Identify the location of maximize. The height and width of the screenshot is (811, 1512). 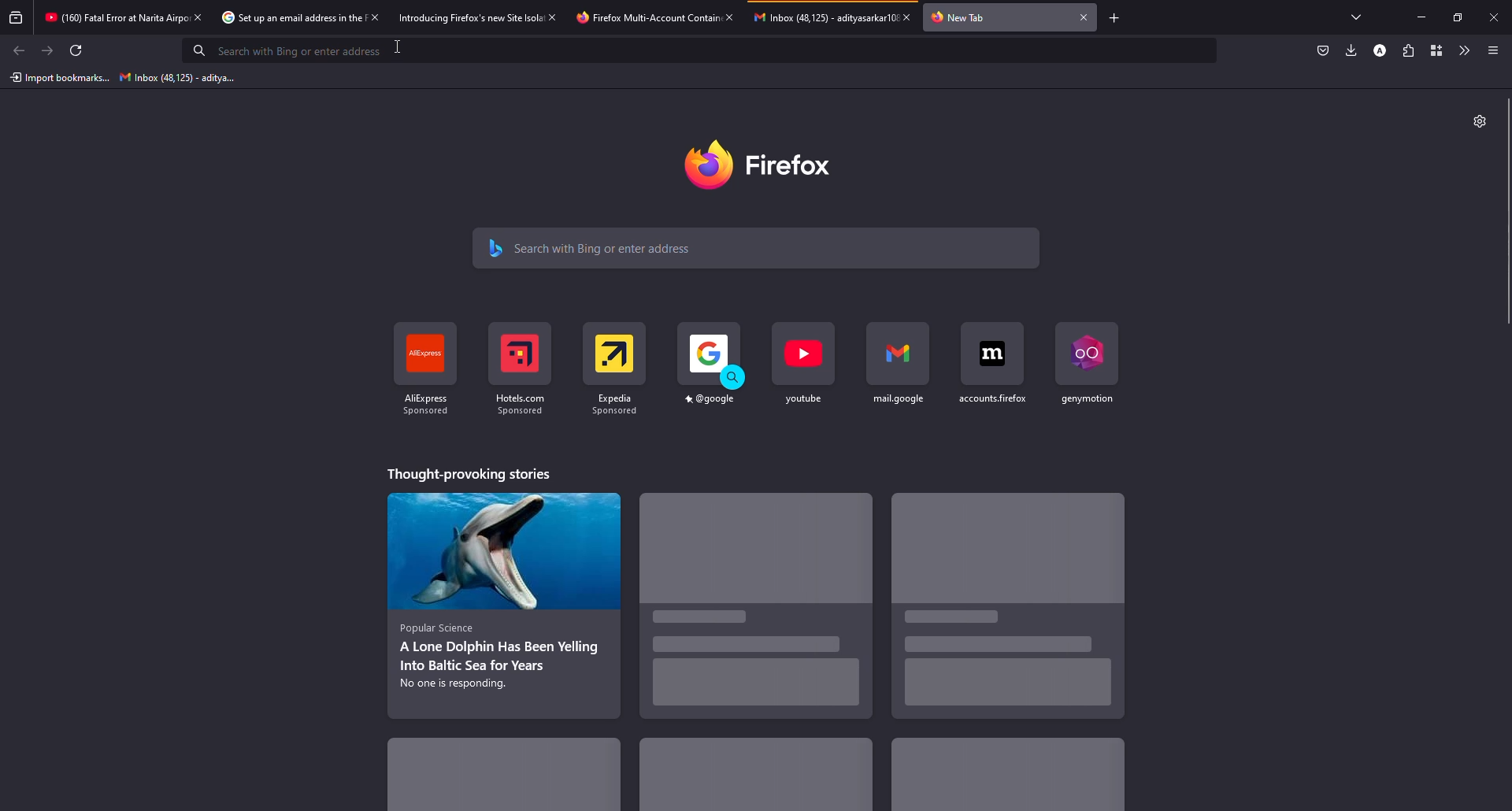
(1455, 17).